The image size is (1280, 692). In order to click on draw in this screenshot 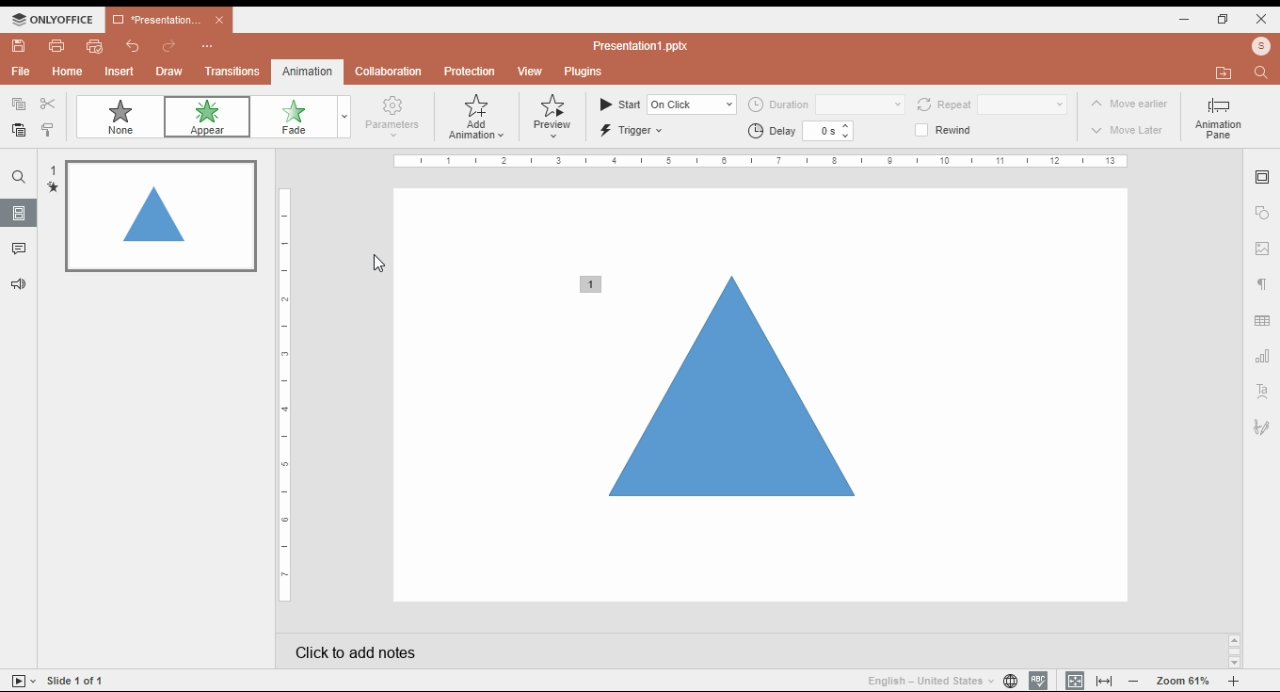, I will do `click(171, 72)`.